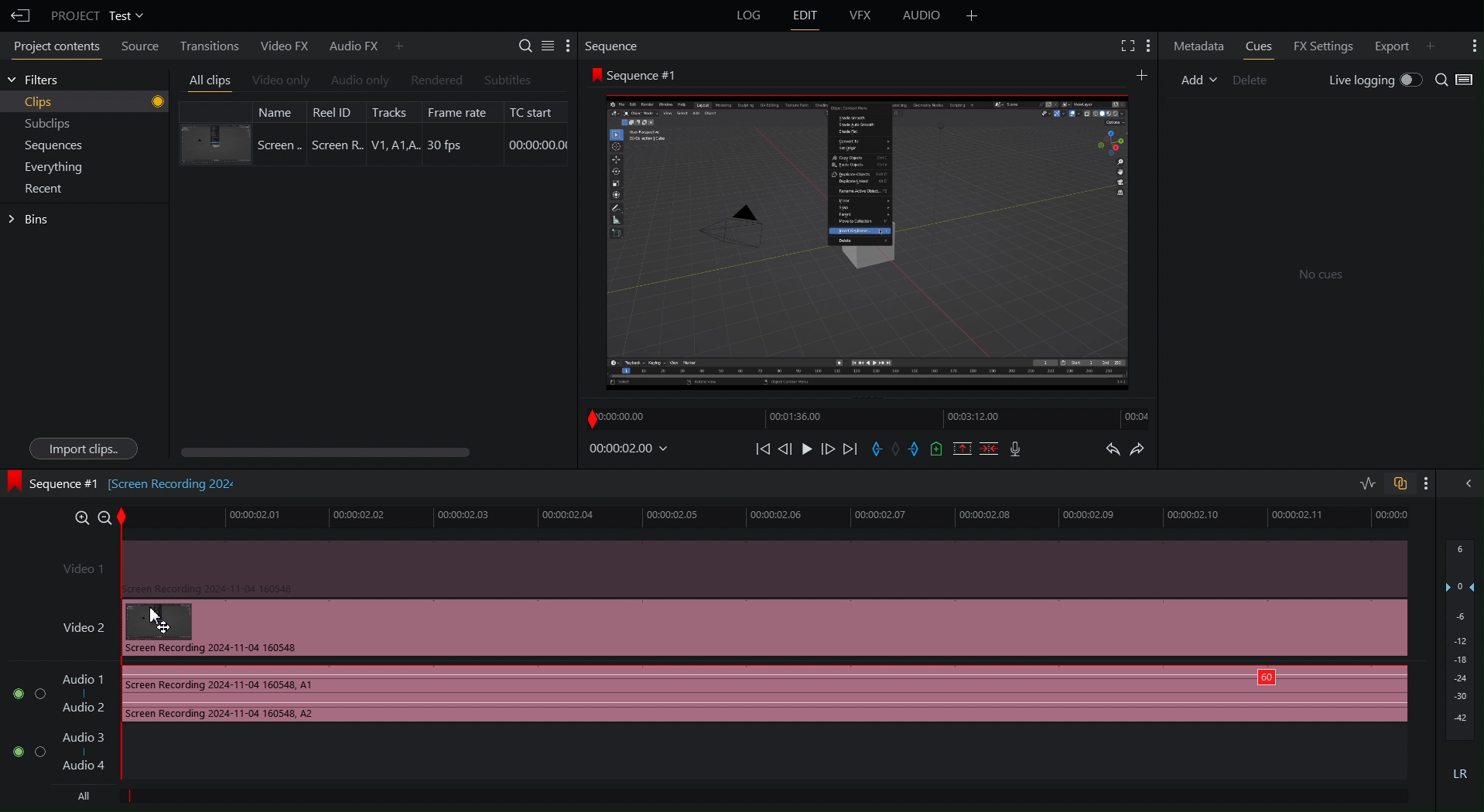  I want to click on More, so click(1151, 47).